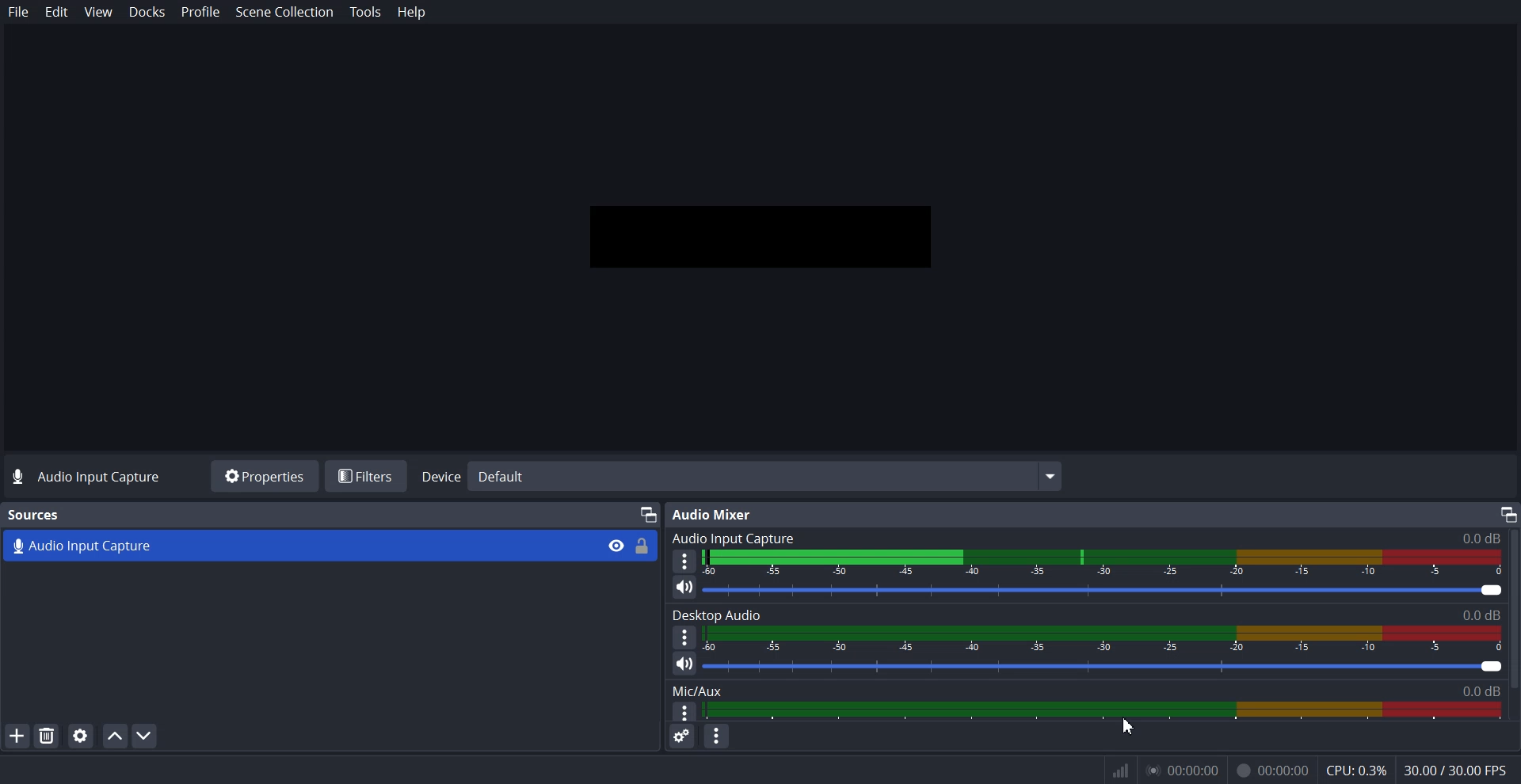 Image resolution: width=1521 pixels, height=784 pixels. I want to click on Volume indicator, so click(1100, 712).